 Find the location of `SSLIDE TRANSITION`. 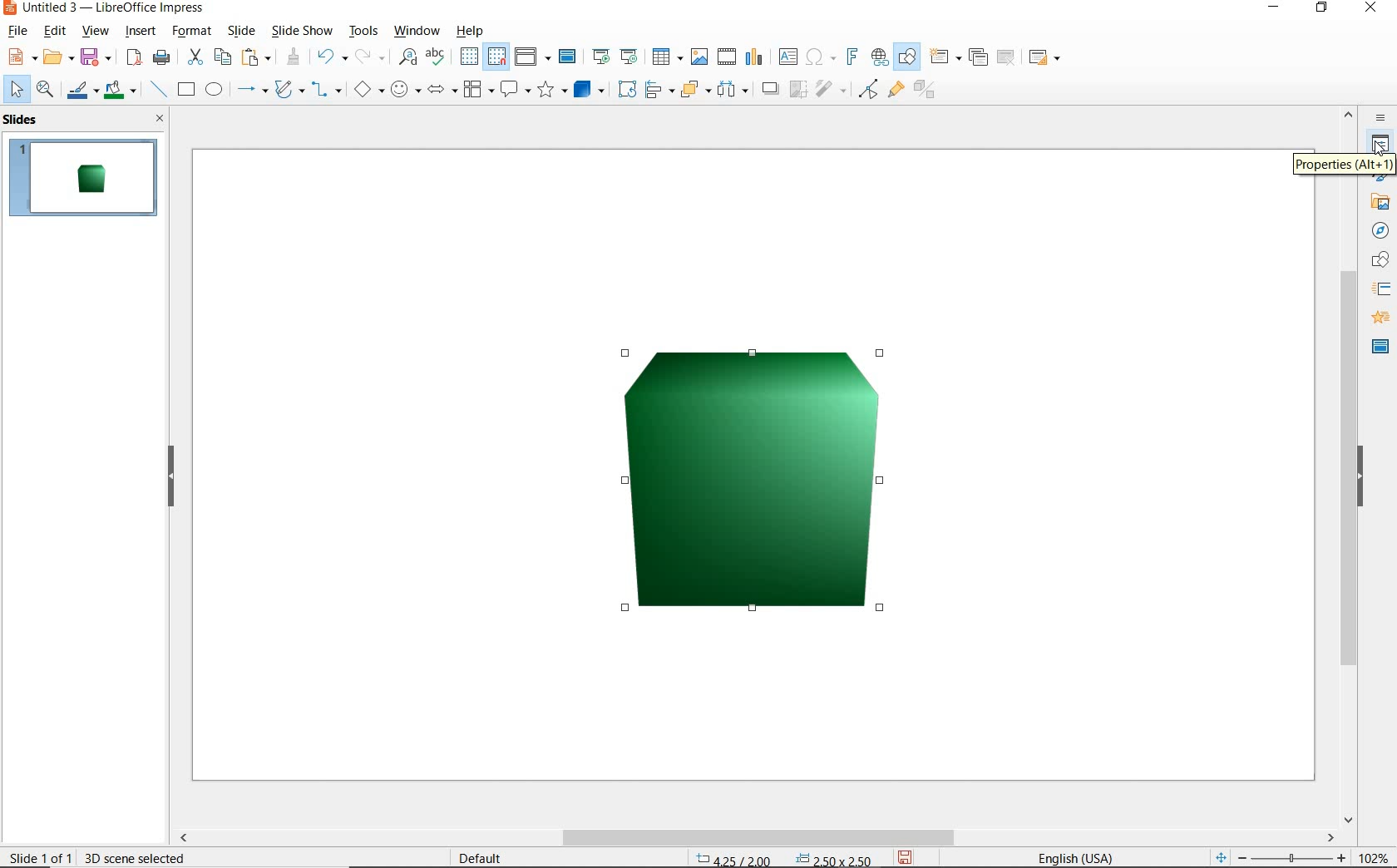

SSLIDE TRANSITION is located at coordinates (1382, 293).